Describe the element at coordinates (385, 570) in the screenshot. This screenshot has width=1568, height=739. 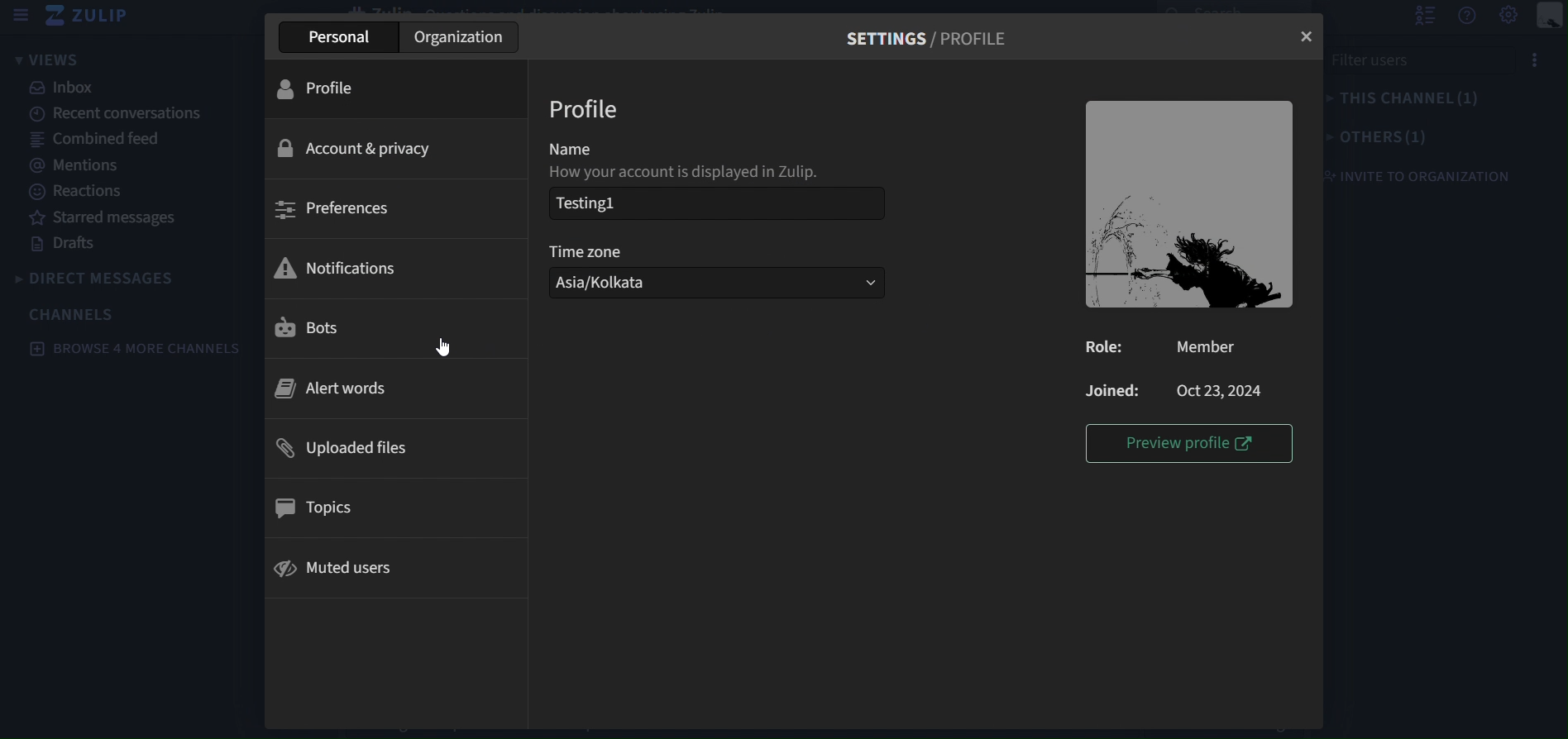
I see `muted users` at that location.